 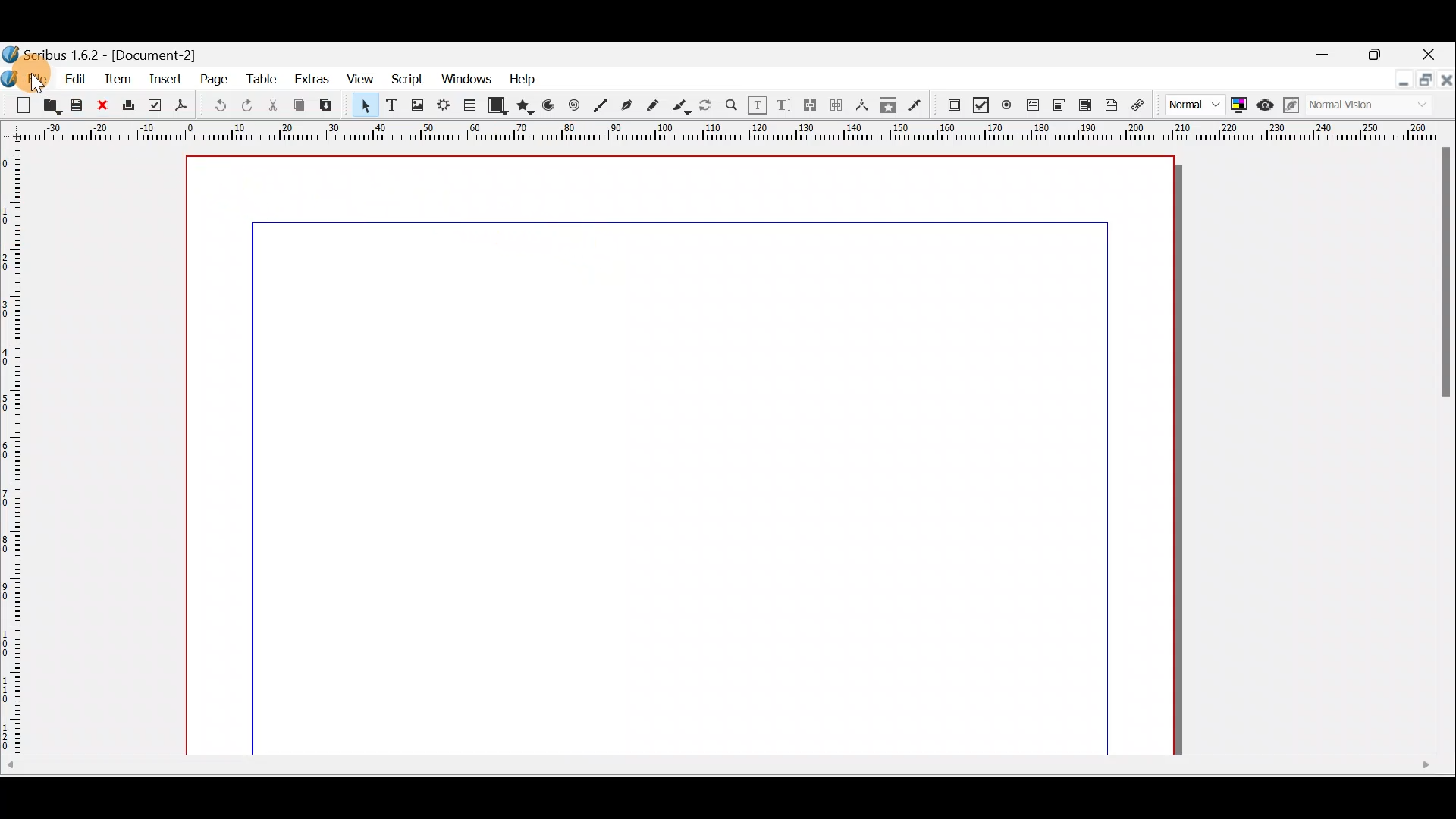 I want to click on PDF combo box, so click(x=1057, y=105).